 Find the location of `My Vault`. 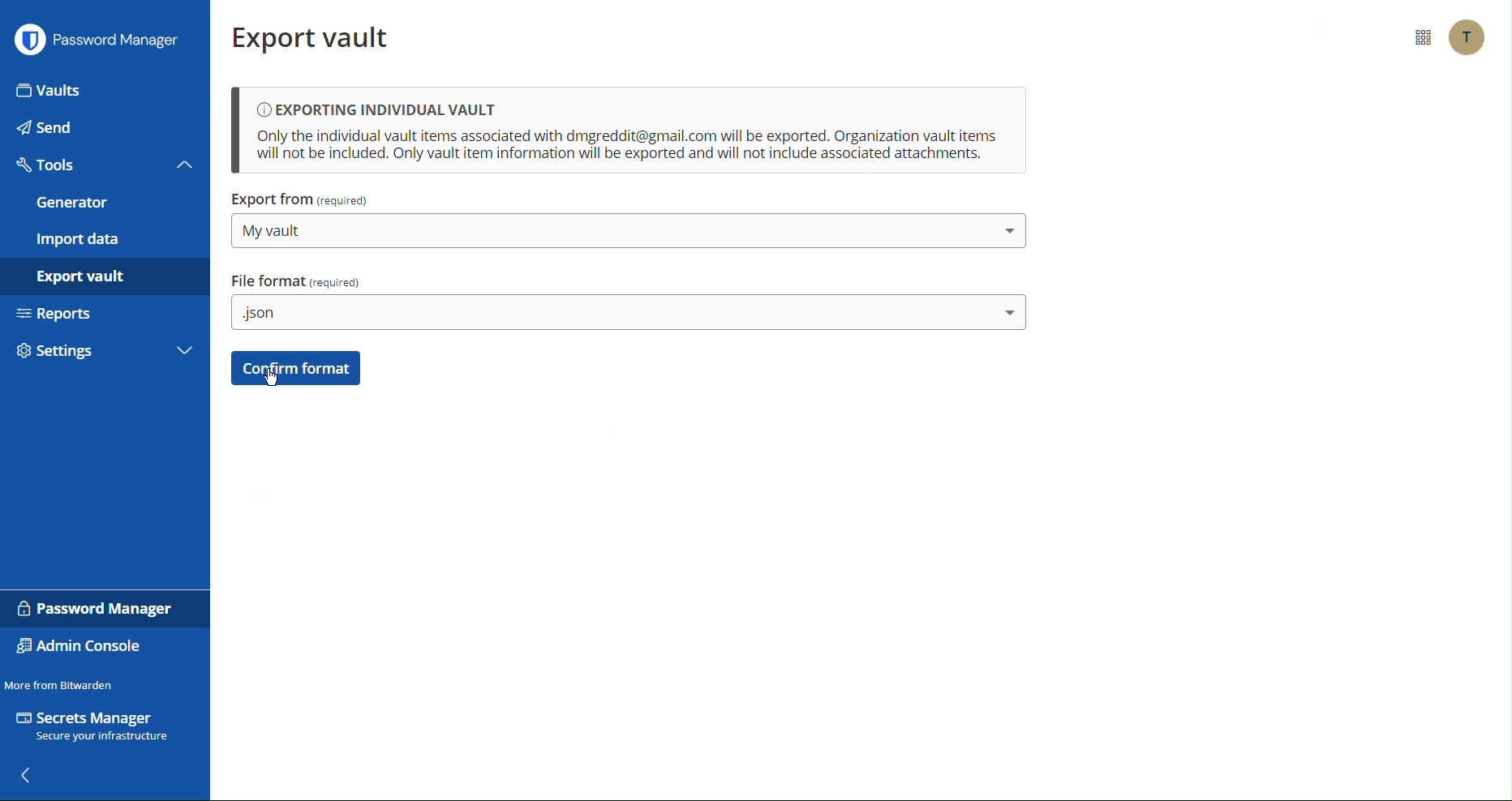

My Vault is located at coordinates (629, 233).